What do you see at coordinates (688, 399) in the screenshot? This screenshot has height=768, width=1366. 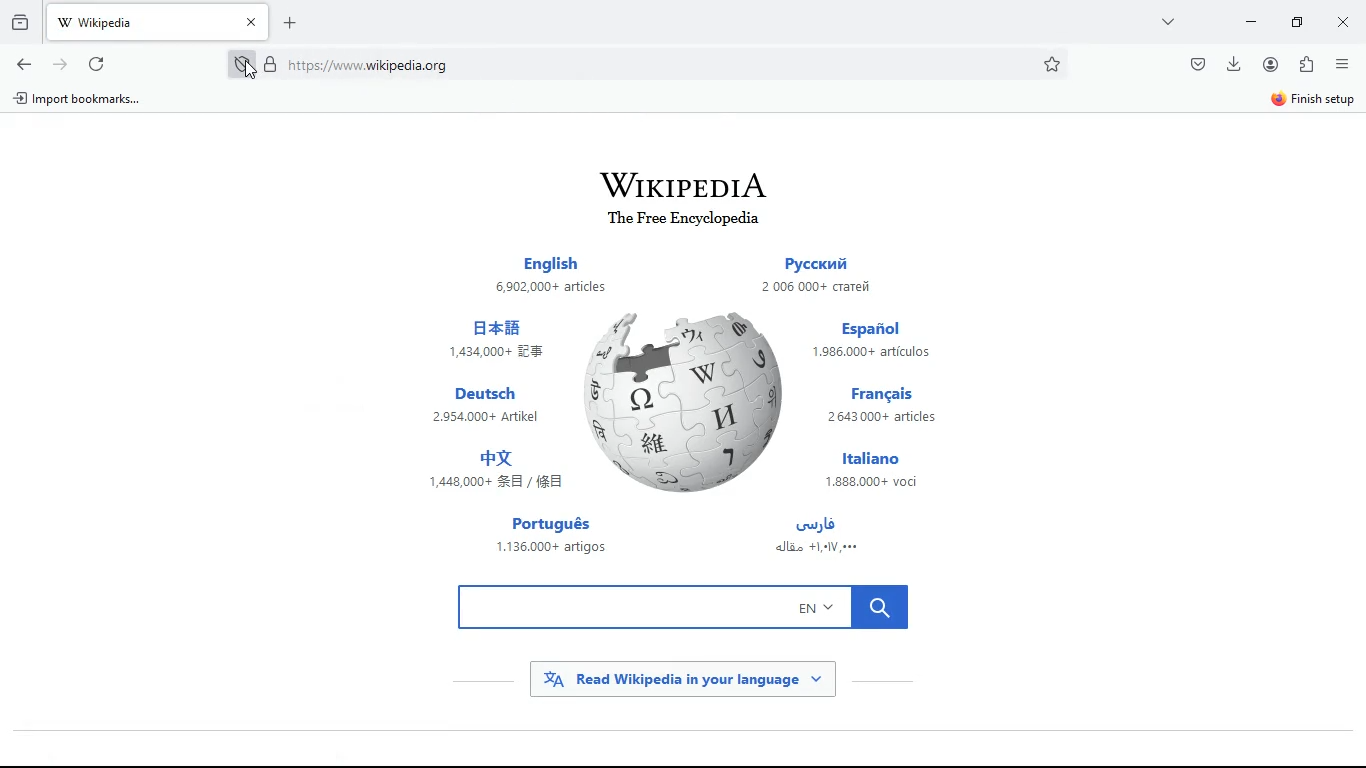 I see `wikipedia logo` at bounding box center [688, 399].